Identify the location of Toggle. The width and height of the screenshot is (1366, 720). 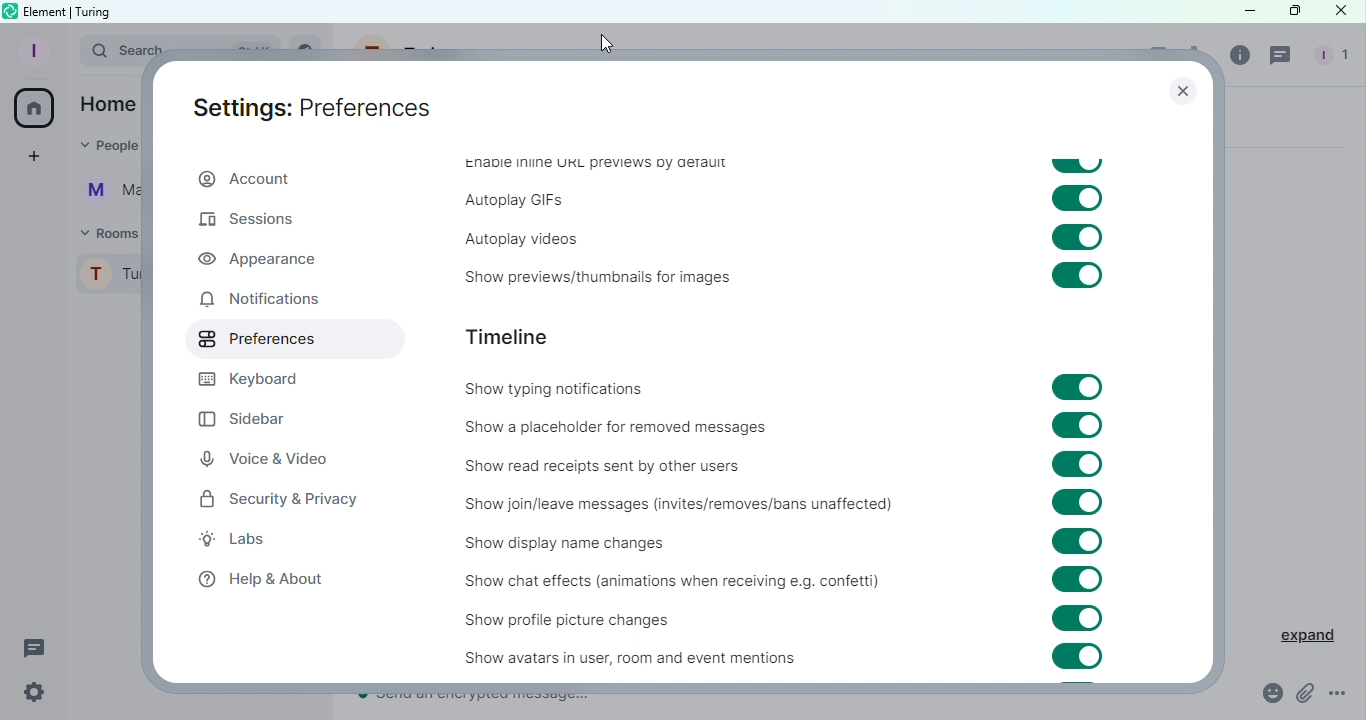
(1079, 387).